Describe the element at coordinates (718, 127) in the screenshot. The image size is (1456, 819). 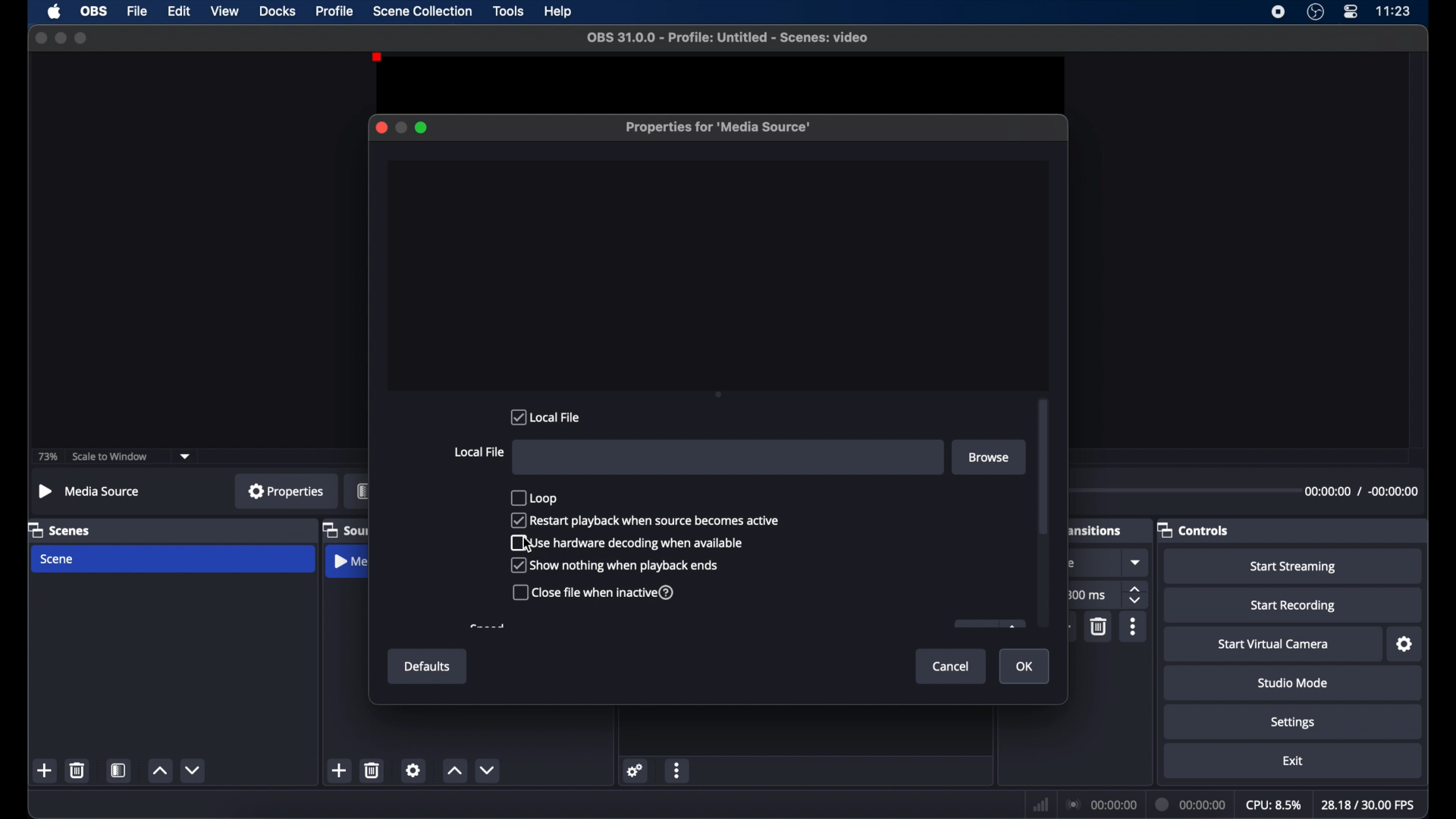
I see `properties for media source` at that location.